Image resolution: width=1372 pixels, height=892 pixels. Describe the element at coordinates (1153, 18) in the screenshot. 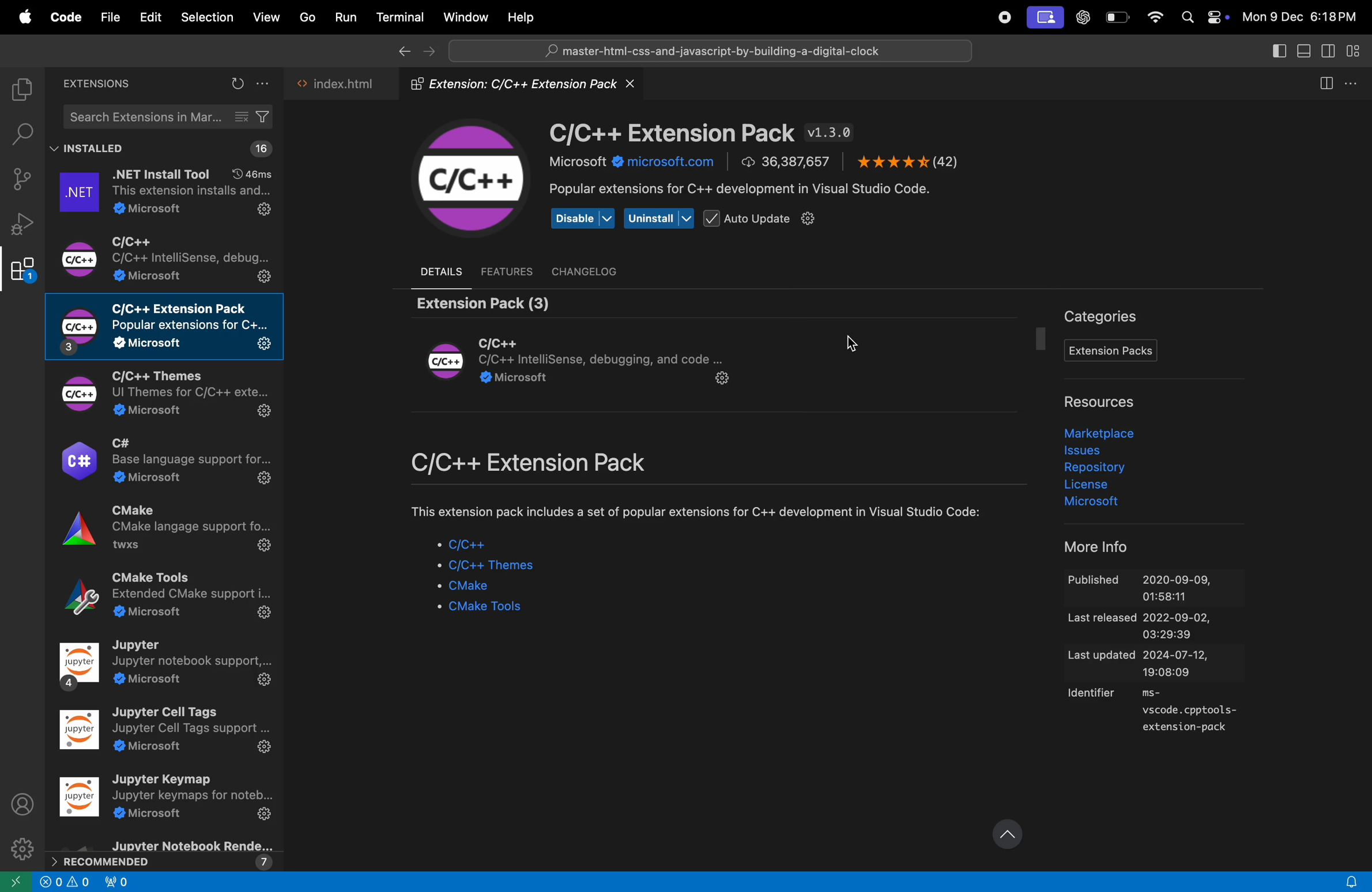

I see `wifi` at that location.